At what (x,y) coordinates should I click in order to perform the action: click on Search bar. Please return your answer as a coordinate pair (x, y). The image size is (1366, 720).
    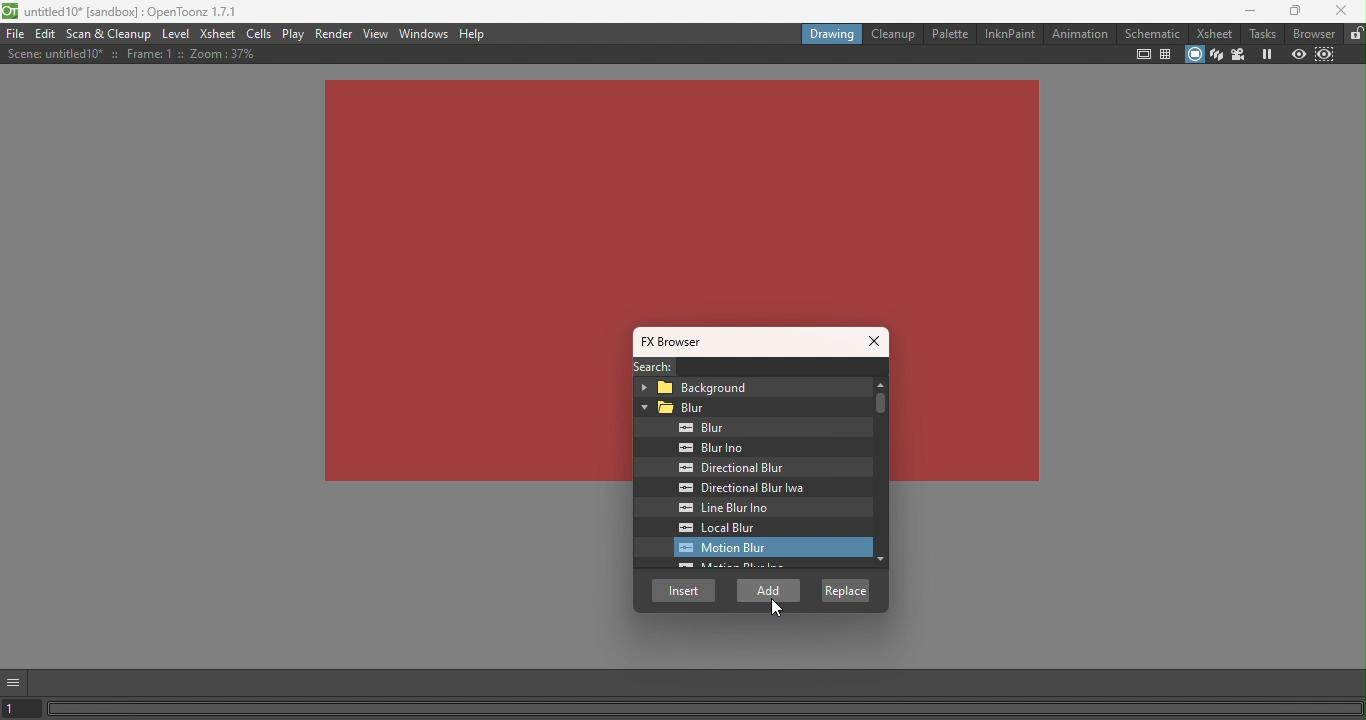
    Looking at the image, I should click on (785, 367).